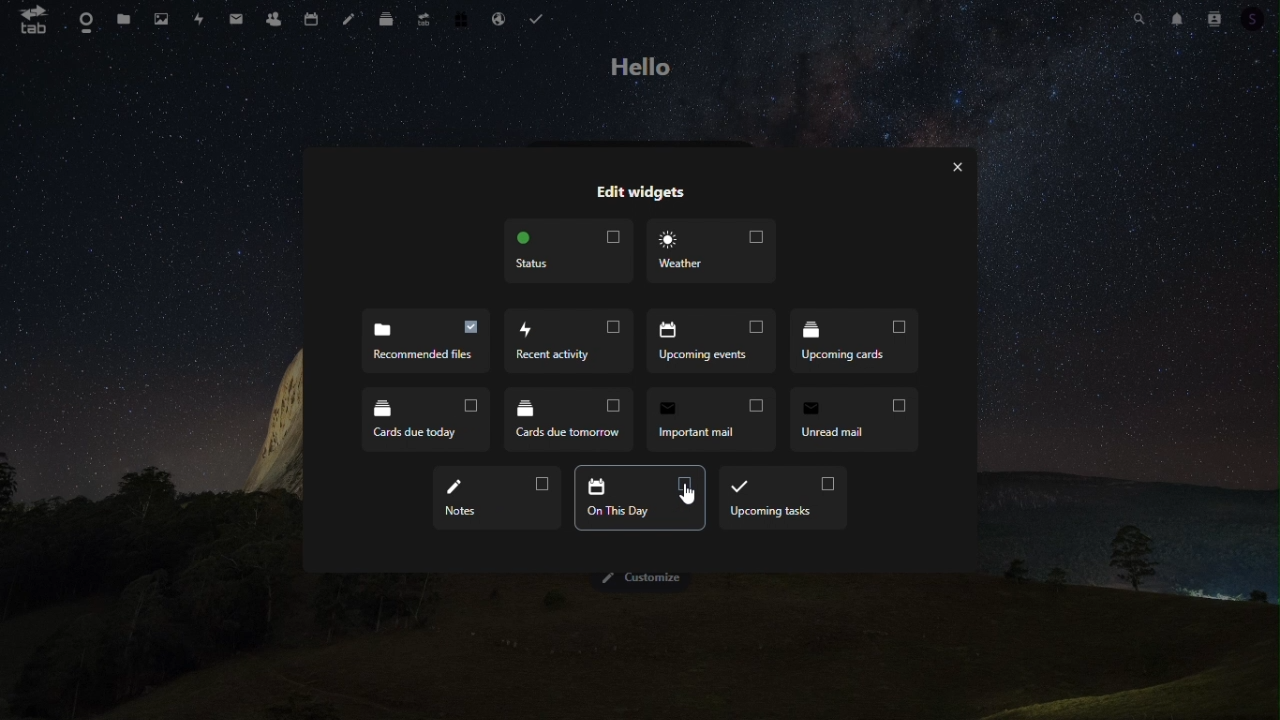 The height and width of the screenshot is (720, 1280). I want to click on notes, so click(352, 19).